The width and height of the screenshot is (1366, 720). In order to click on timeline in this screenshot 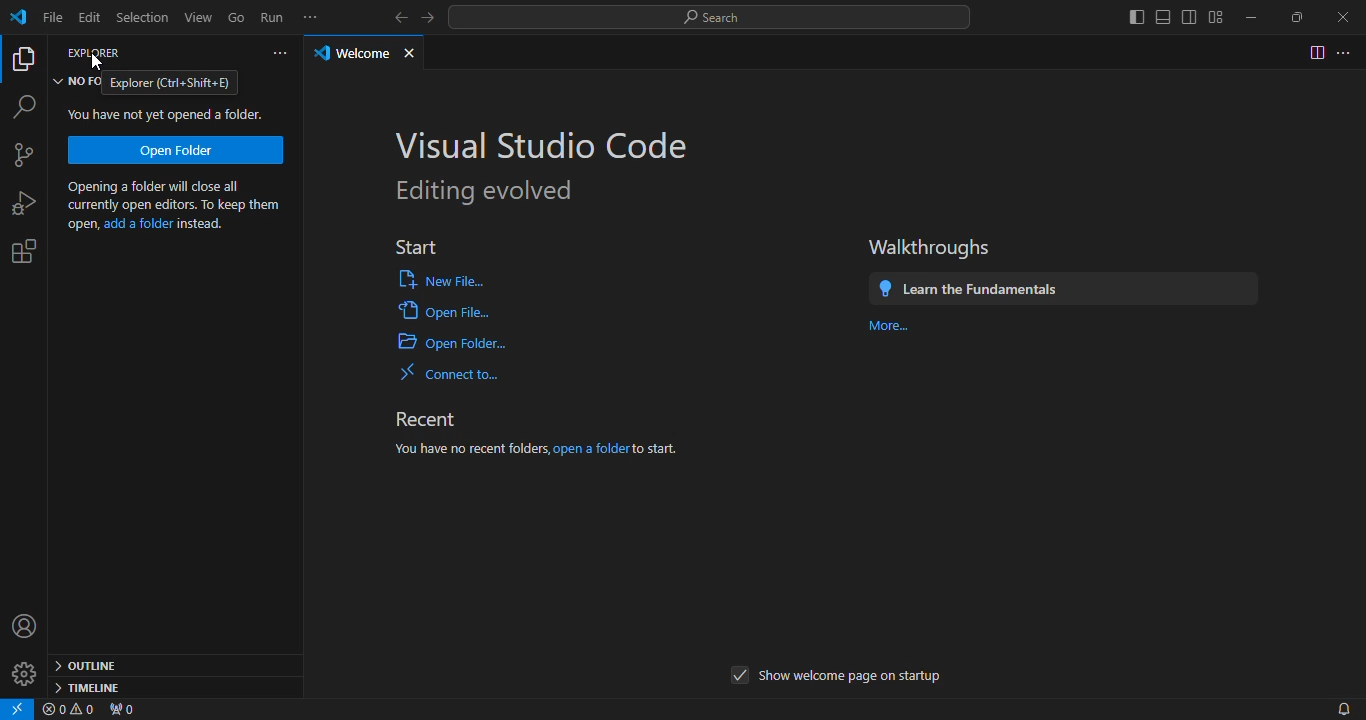, I will do `click(86, 687)`.